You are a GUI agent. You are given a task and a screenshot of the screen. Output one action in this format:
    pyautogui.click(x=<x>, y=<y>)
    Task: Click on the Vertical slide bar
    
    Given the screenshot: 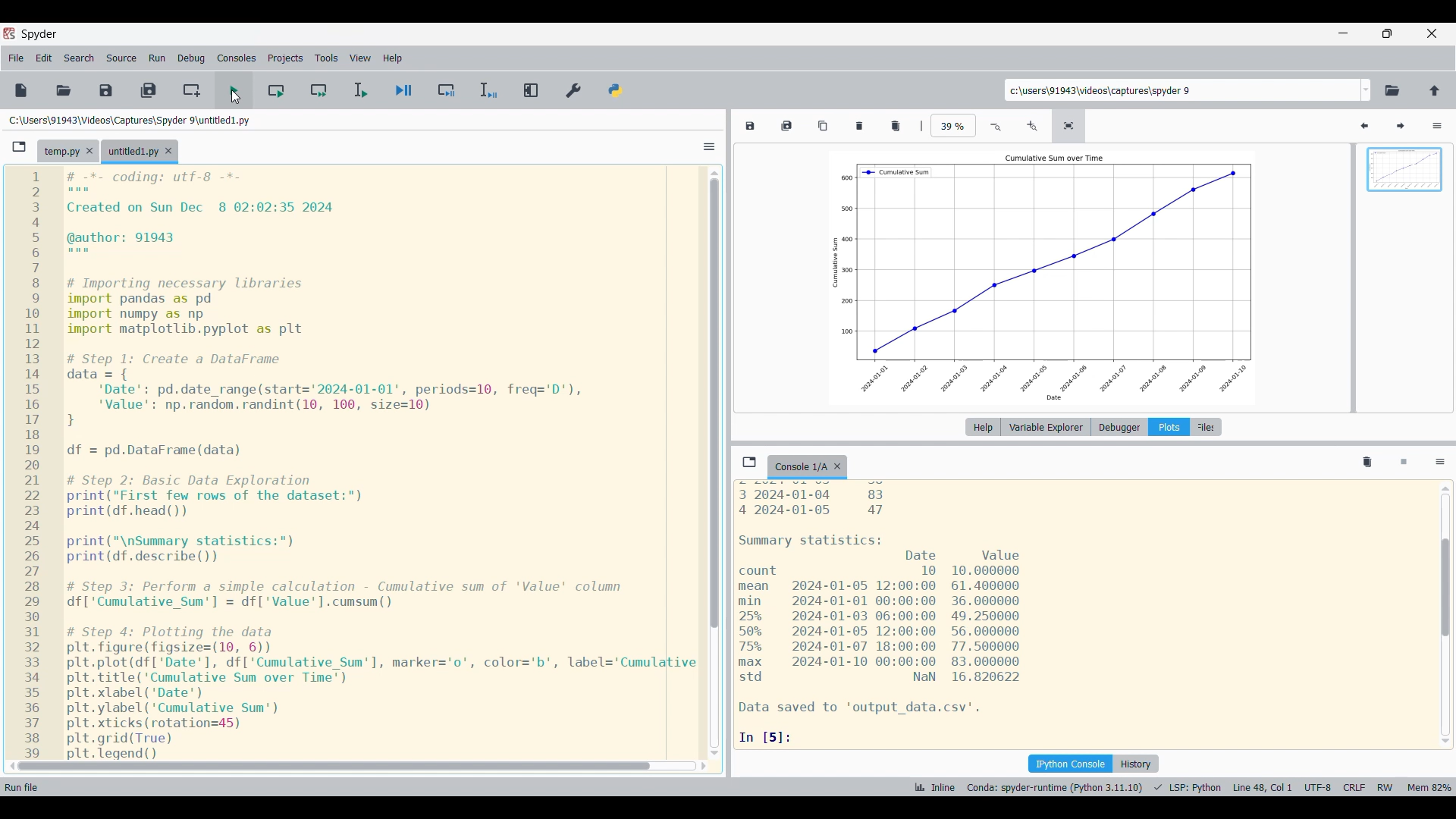 What is the action you would take?
    pyautogui.click(x=715, y=463)
    